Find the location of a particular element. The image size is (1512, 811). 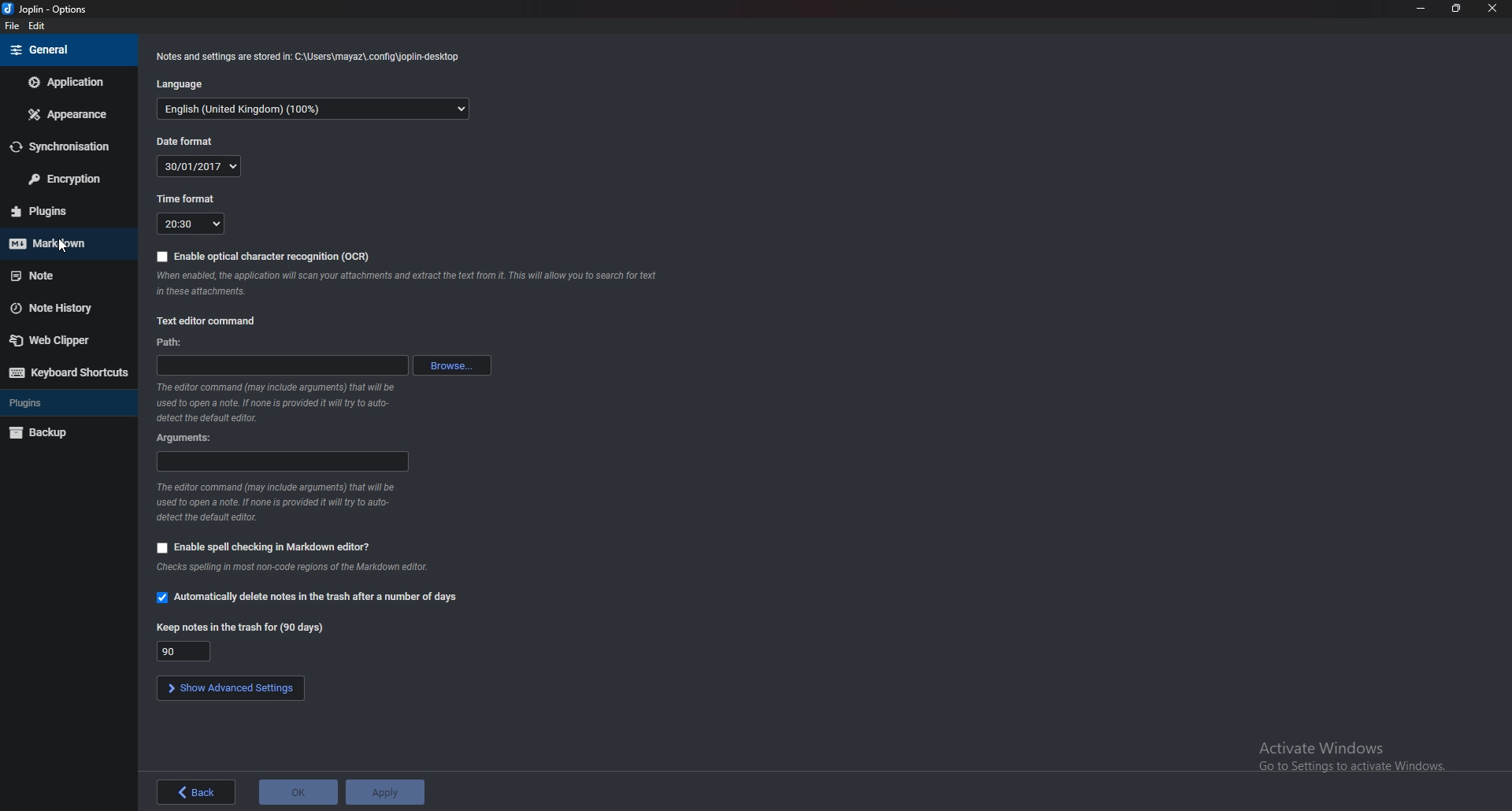

Enable O C R is located at coordinates (265, 256).